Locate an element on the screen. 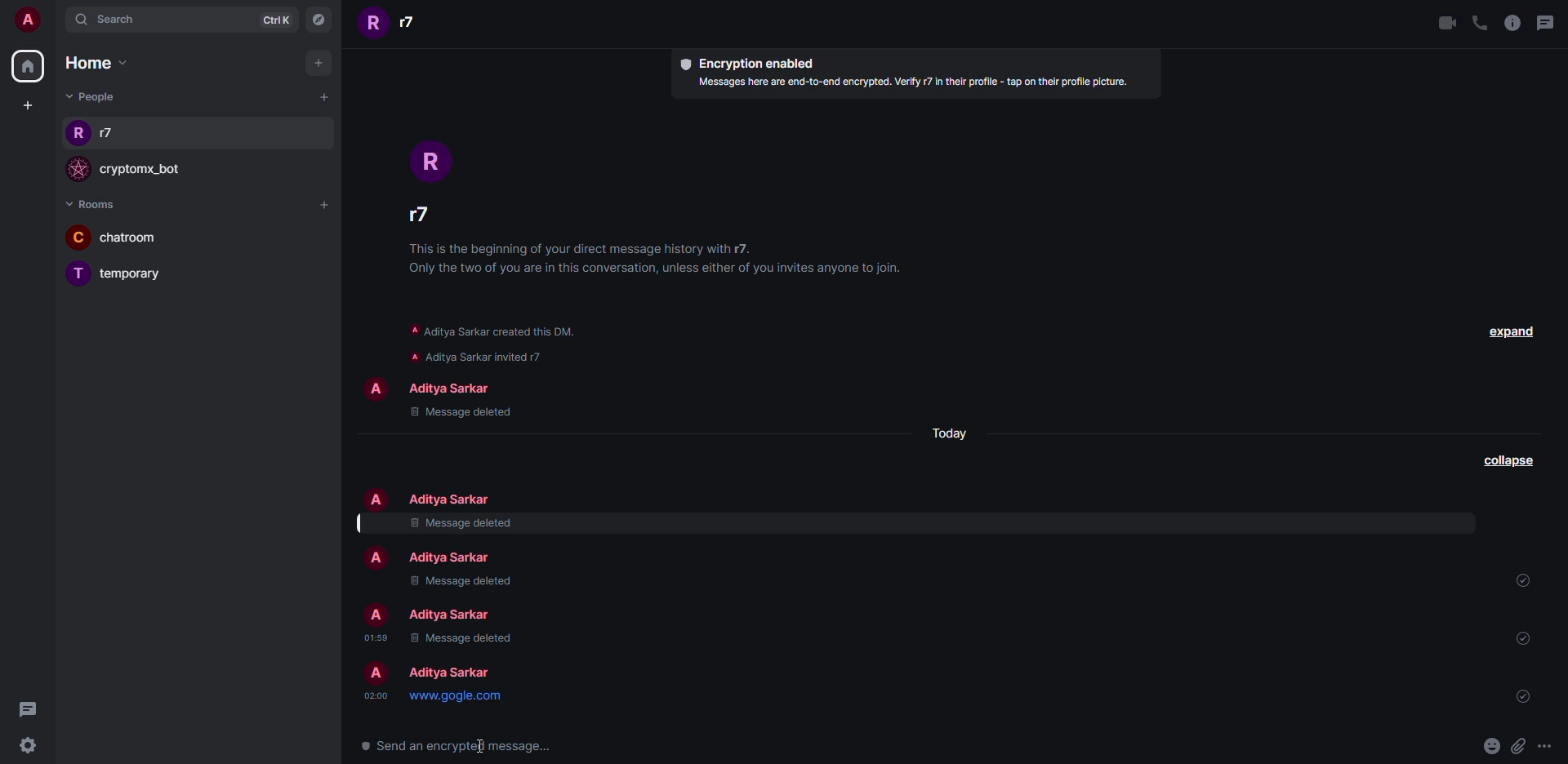 This screenshot has width=1568, height=764. info is located at coordinates (657, 255).